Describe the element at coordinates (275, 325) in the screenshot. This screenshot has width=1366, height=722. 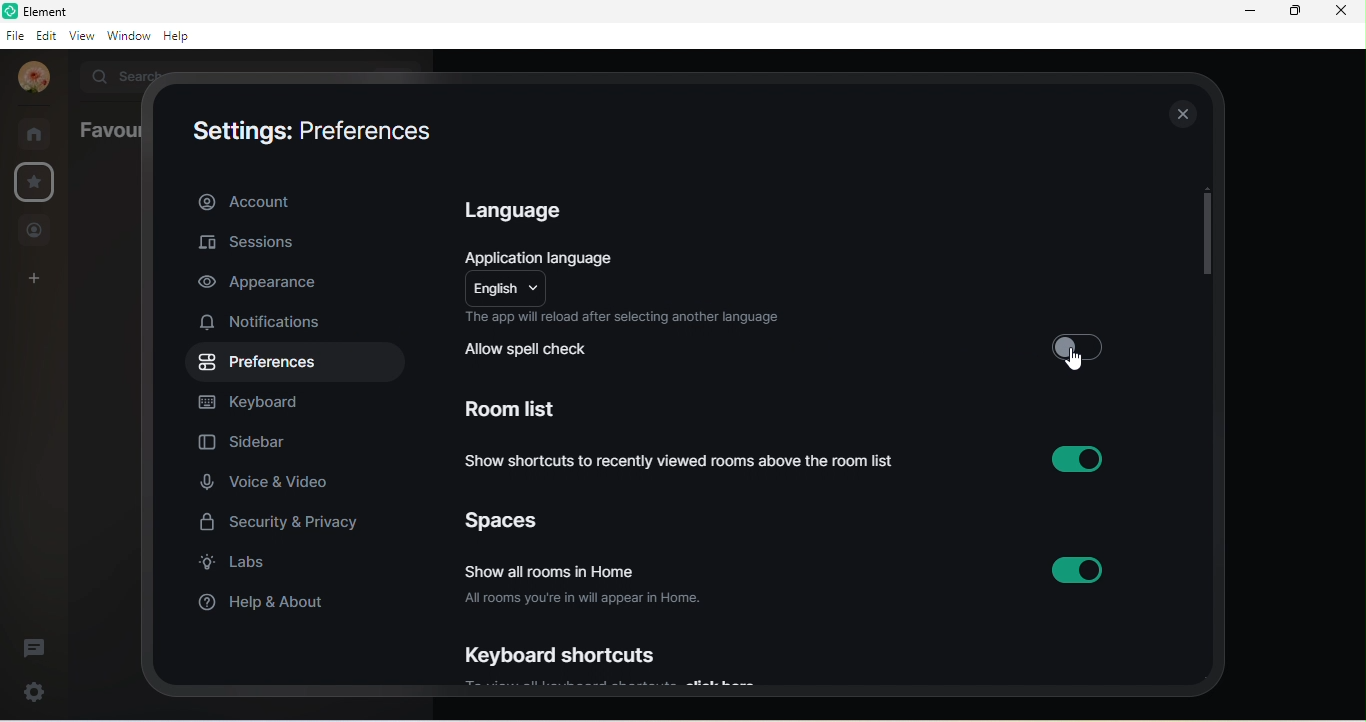
I see `notifications` at that location.